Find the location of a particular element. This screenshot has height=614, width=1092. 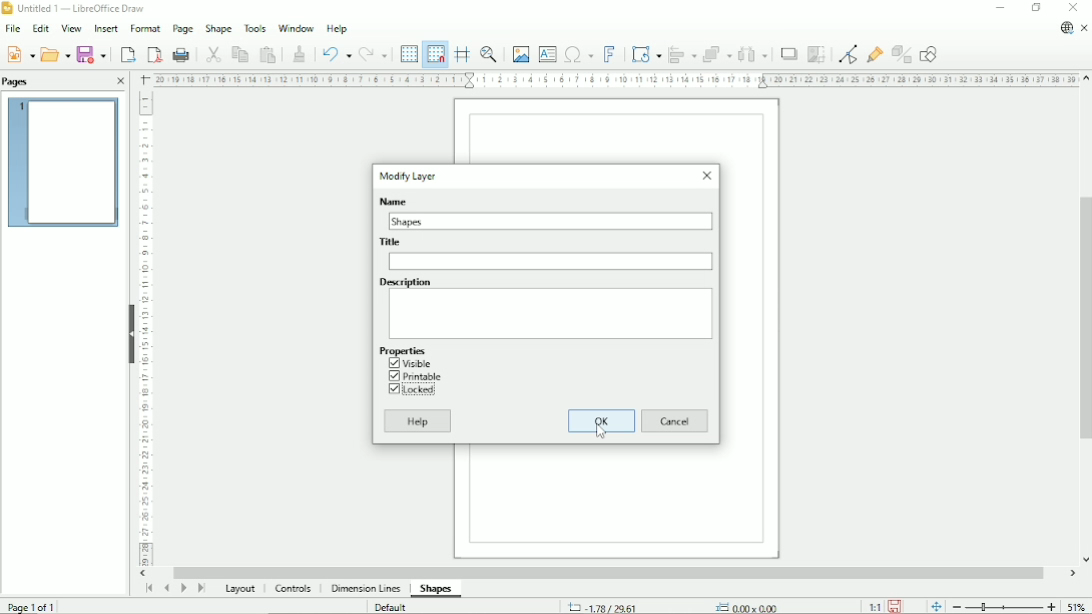

Crop image is located at coordinates (816, 55).